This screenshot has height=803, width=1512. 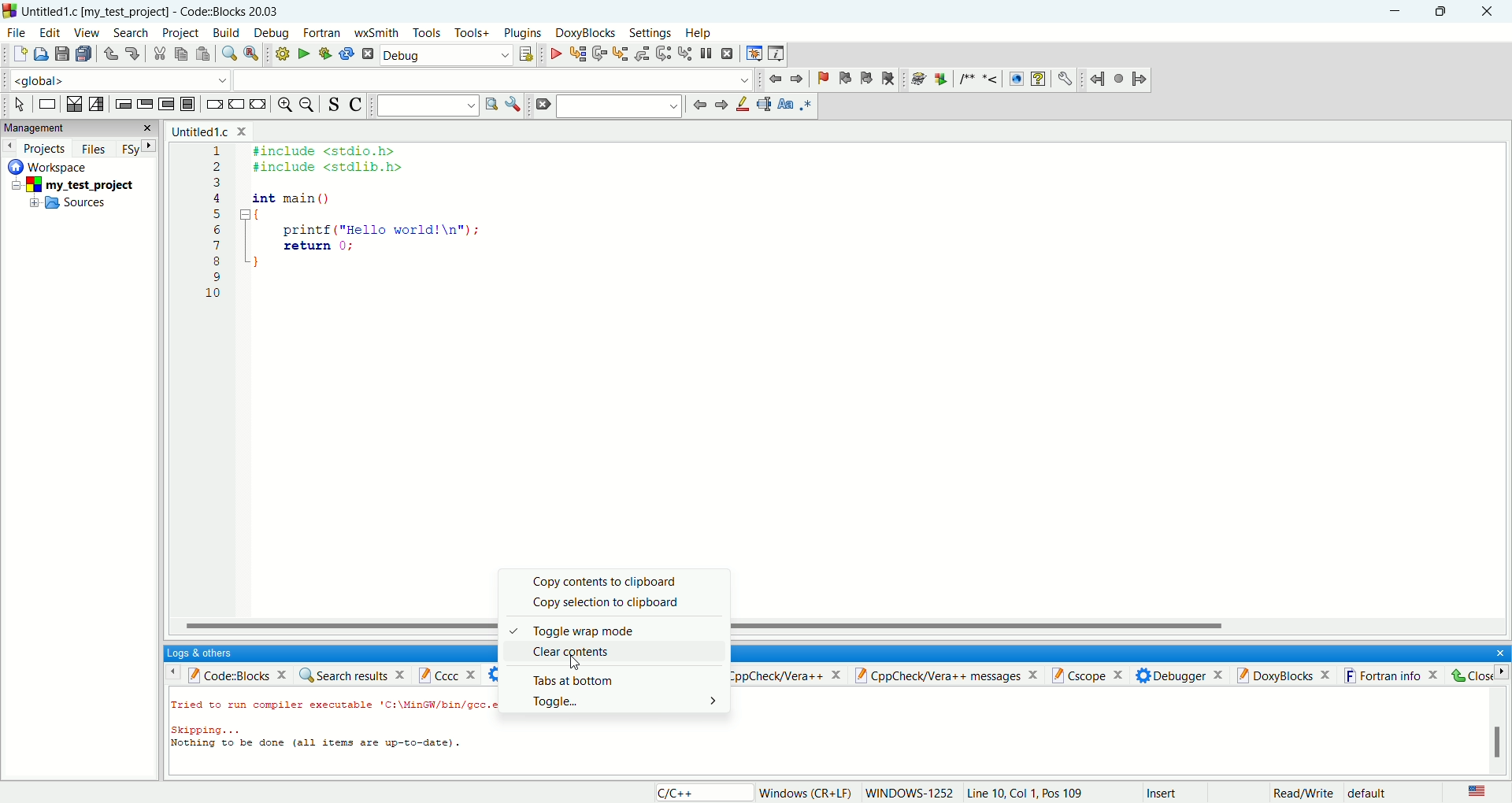 I want to click on selected text, so click(x=764, y=104).